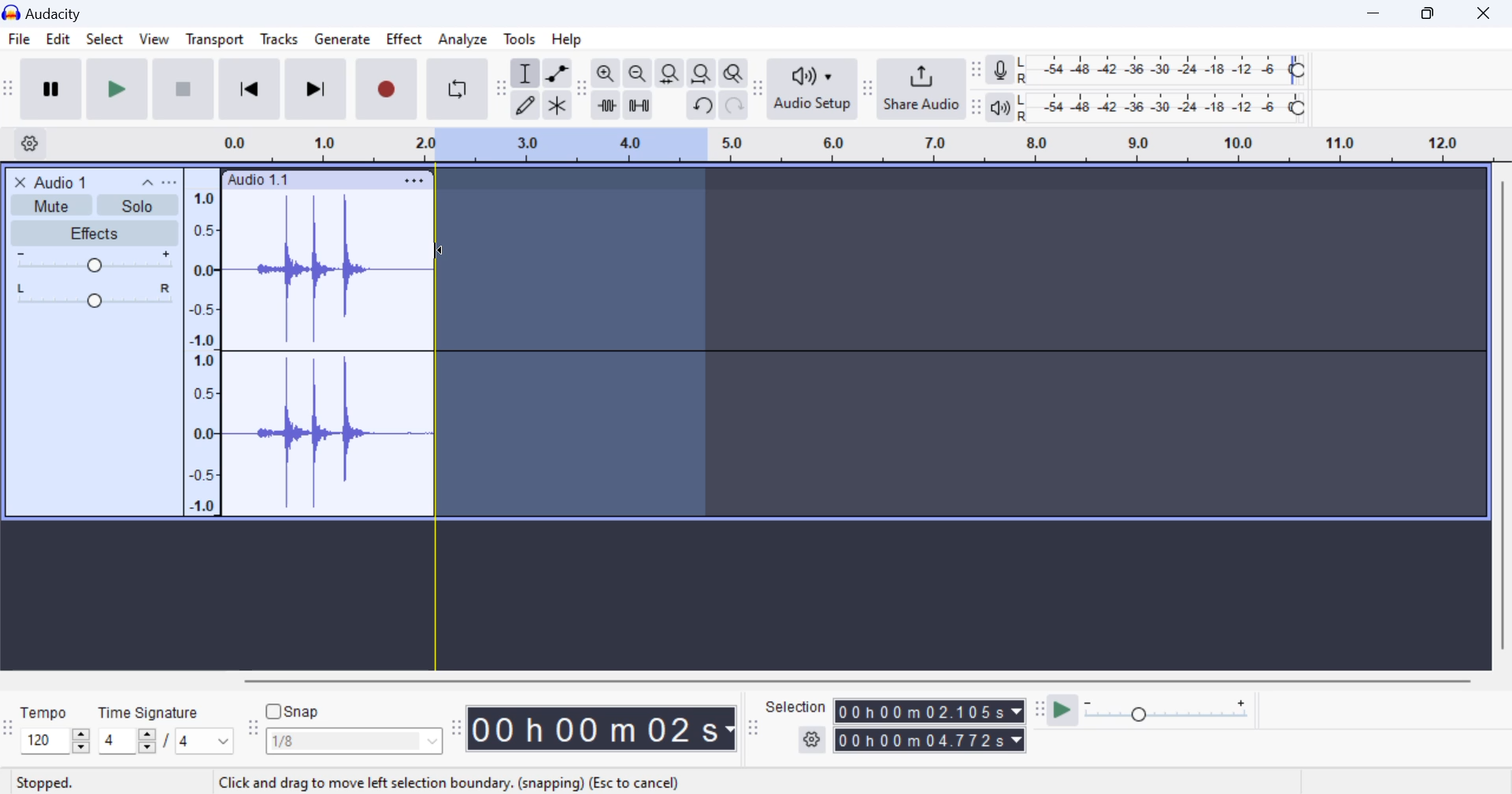 This screenshot has width=1512, height=794. What do you see at coordinates (98, 295) in the screenshot?
I see `Pan Center` at bounding box center [98, 295].